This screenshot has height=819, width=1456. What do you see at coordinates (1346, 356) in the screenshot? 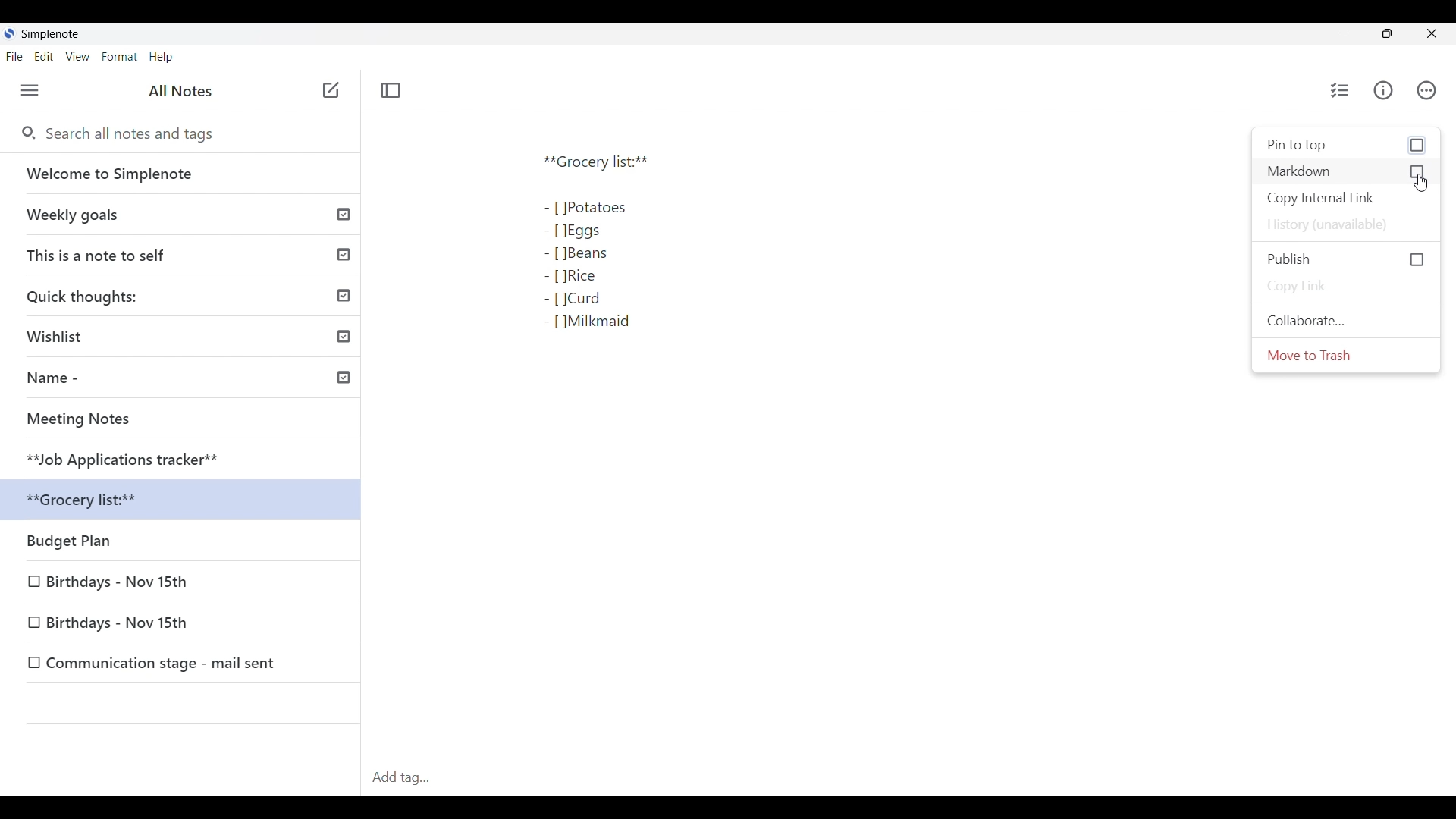
I see `Move to trash` at bounding box center [1346, 356].